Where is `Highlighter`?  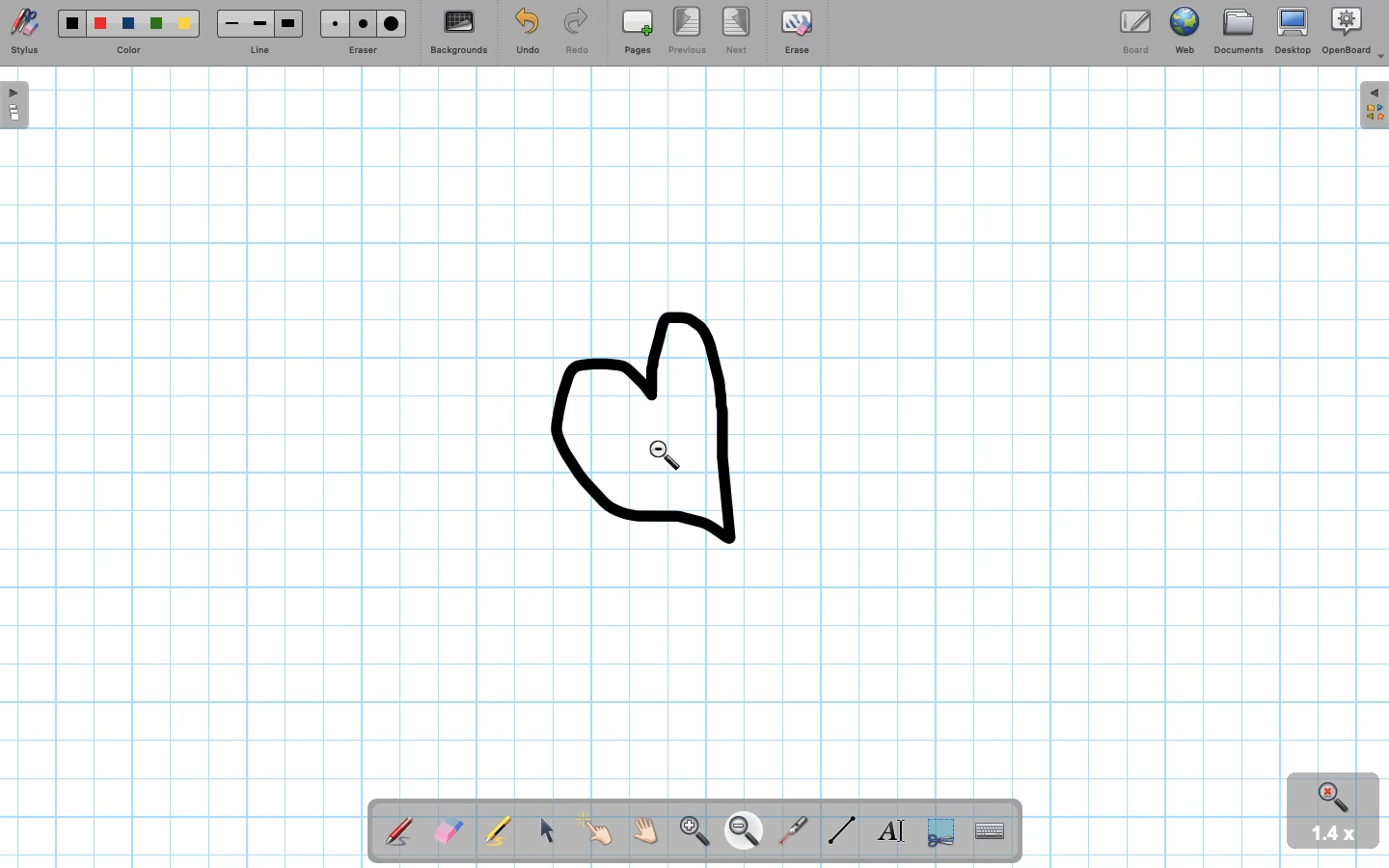 Highlighter is located at coordinates (498, 832).